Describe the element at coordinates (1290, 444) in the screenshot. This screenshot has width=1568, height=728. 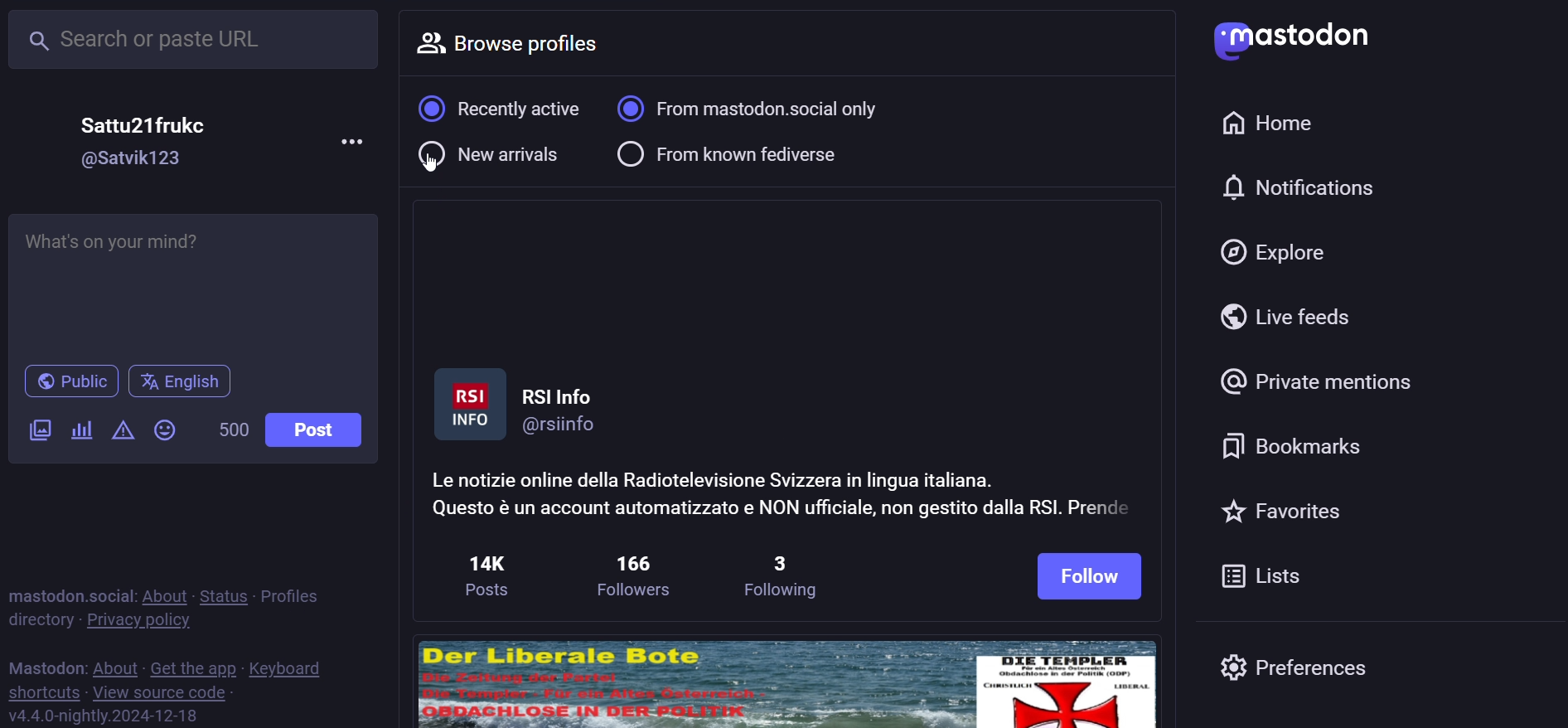
I see `bookmark` at that location.